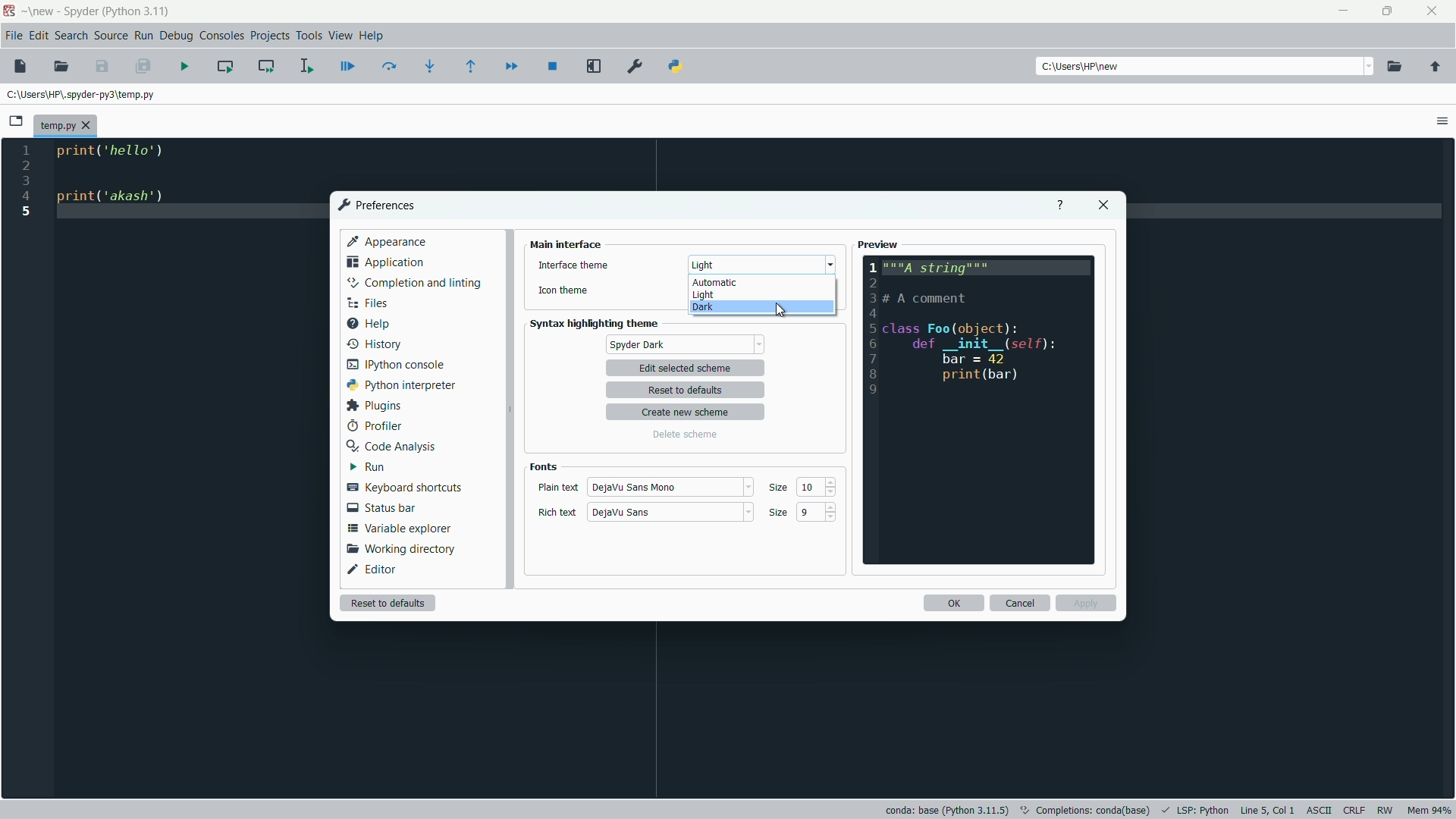 The image size is (1456, 819). Describe the element at coordinates (716, 282) in the screenshot. I see `automatic` at that location.